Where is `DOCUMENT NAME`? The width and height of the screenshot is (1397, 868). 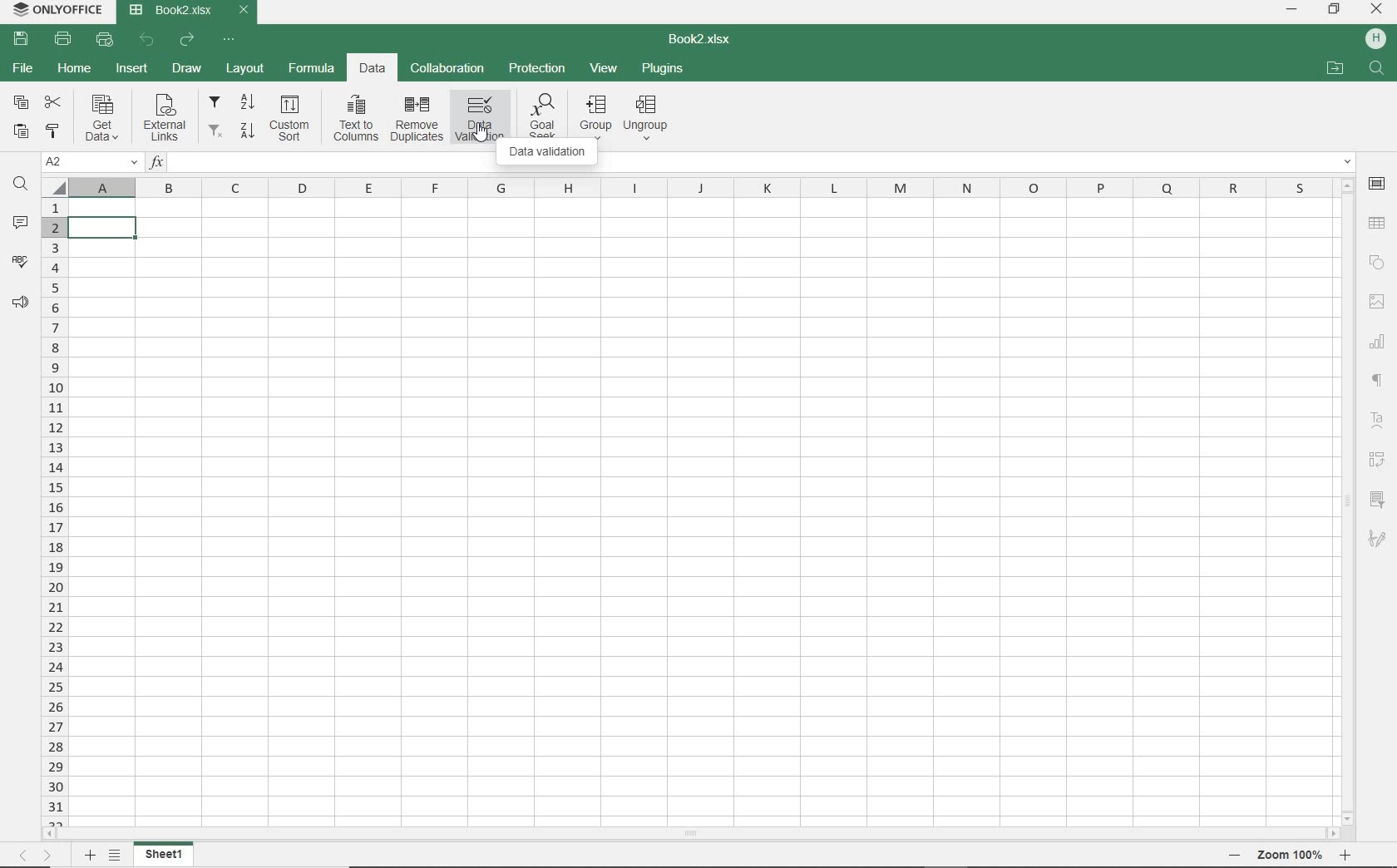
DOCUMENT NAME is located at coordinates (700, 39).